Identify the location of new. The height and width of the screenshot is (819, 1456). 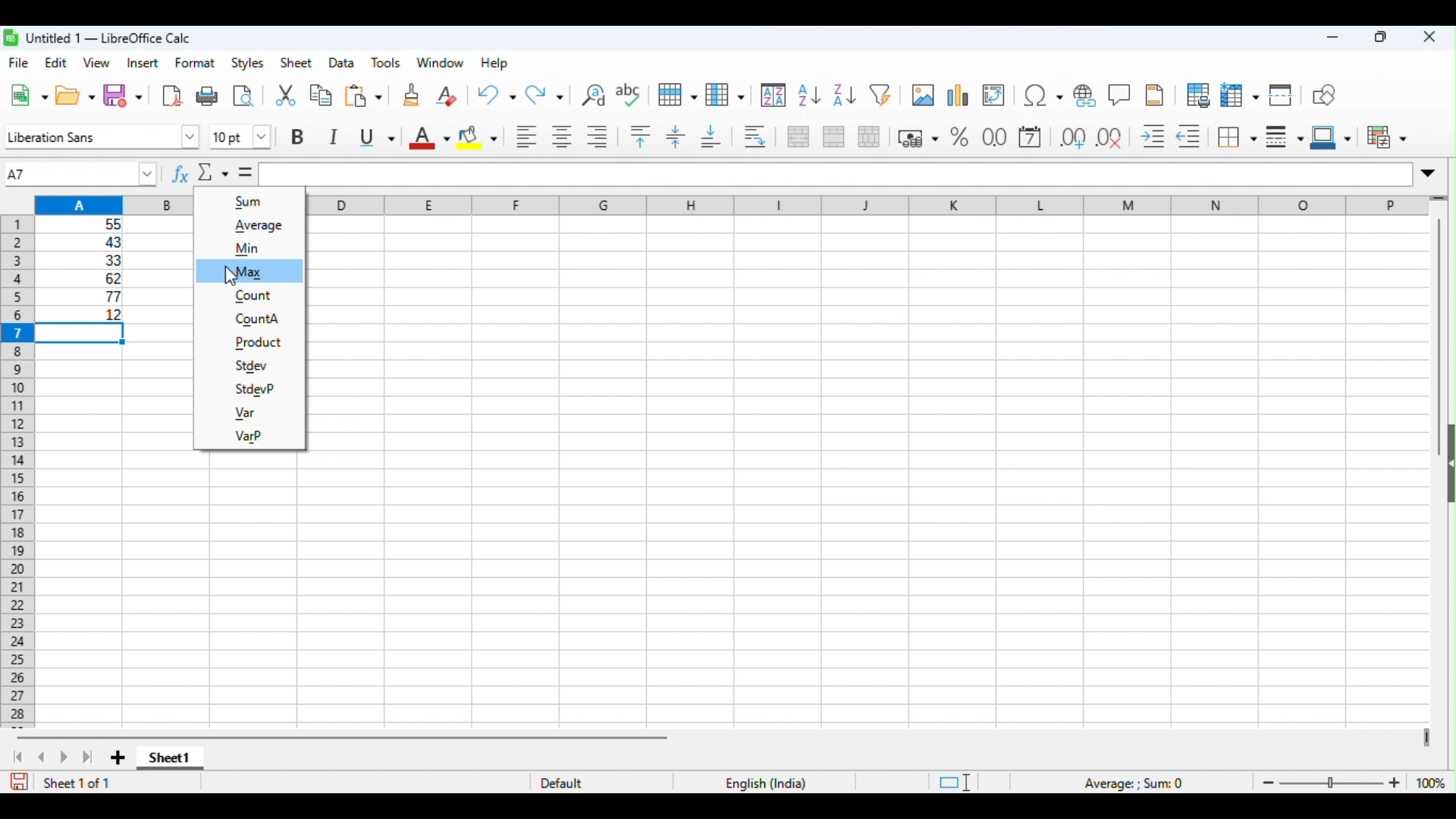
(29, 96).